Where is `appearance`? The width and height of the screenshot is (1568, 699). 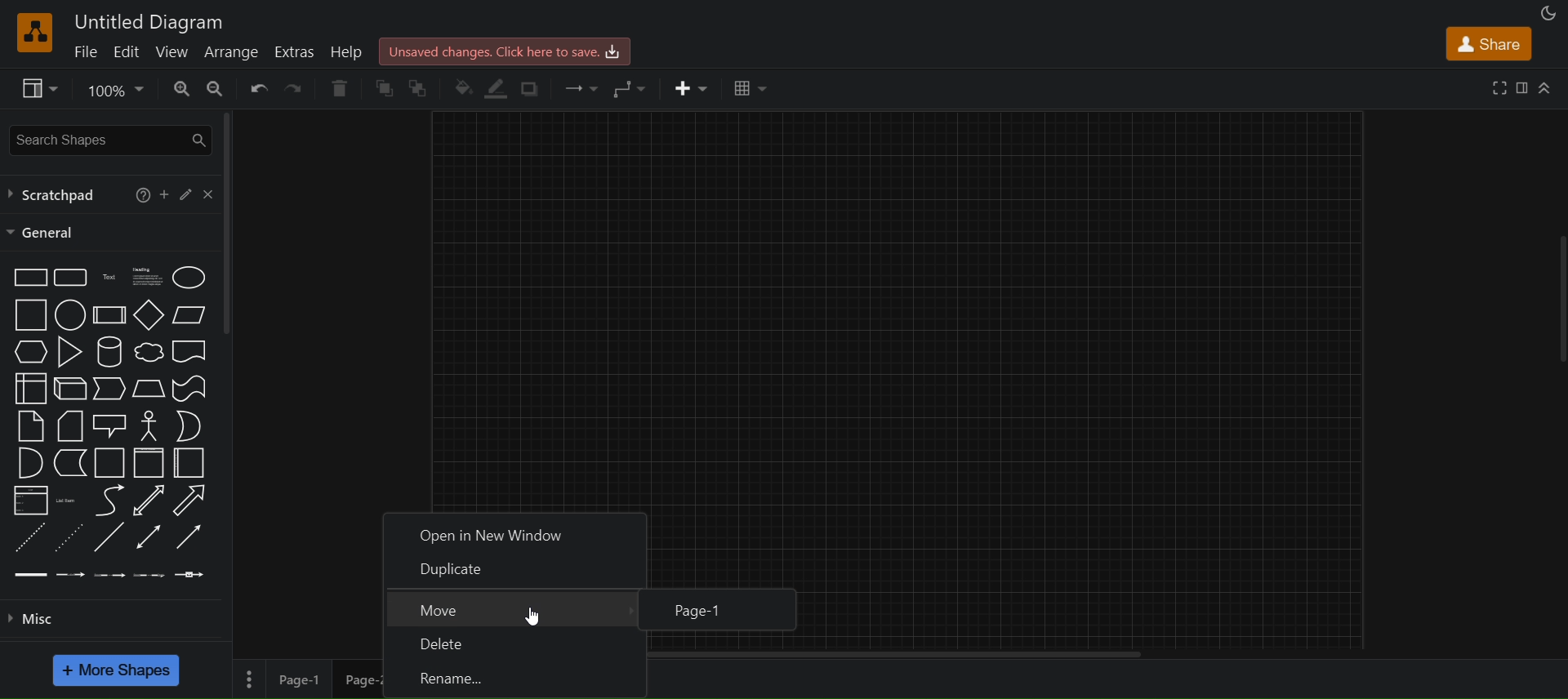 appearance is located at coordinates (1545, 11).